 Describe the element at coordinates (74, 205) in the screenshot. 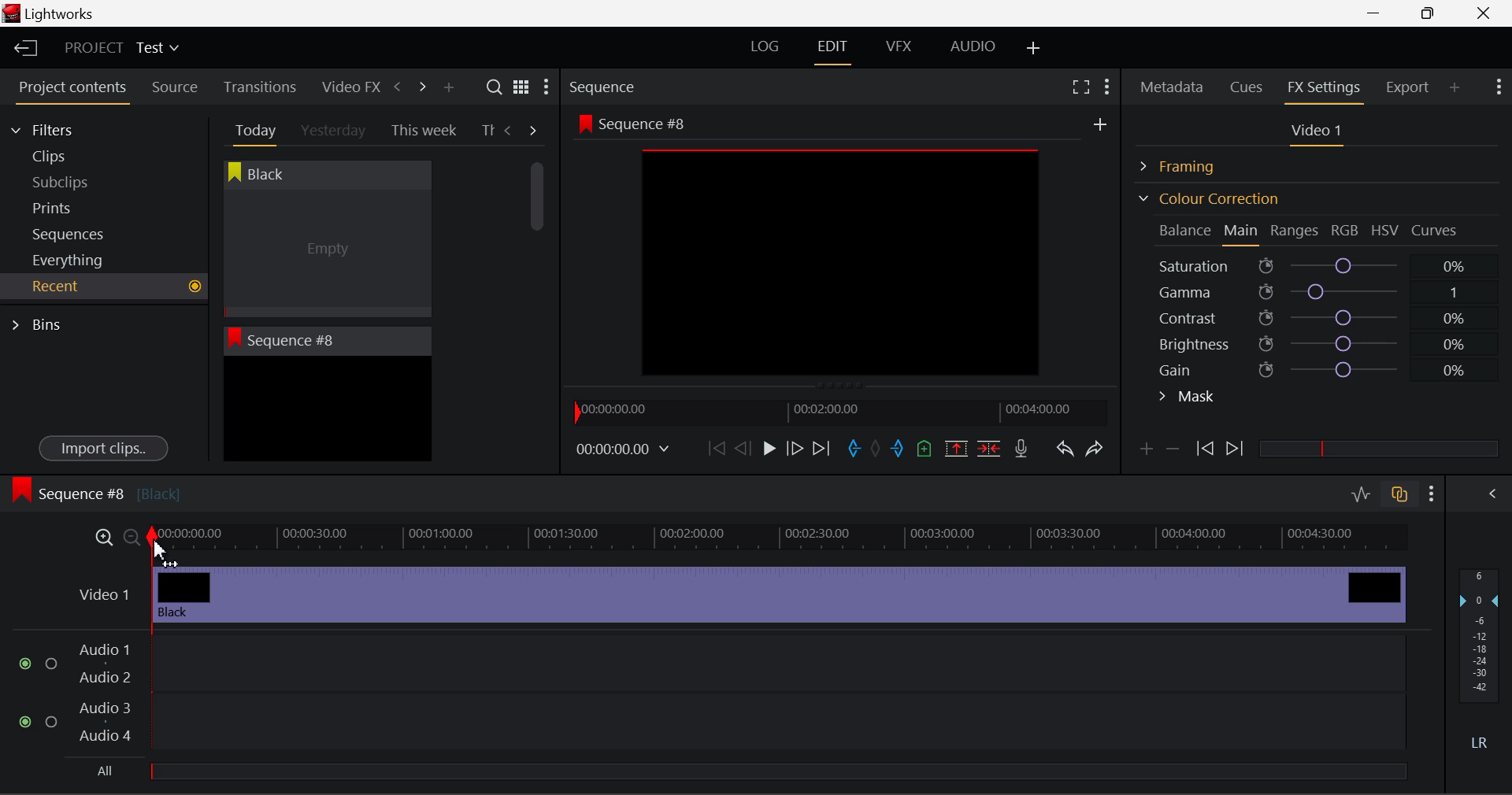

I see `Prints` at that location.